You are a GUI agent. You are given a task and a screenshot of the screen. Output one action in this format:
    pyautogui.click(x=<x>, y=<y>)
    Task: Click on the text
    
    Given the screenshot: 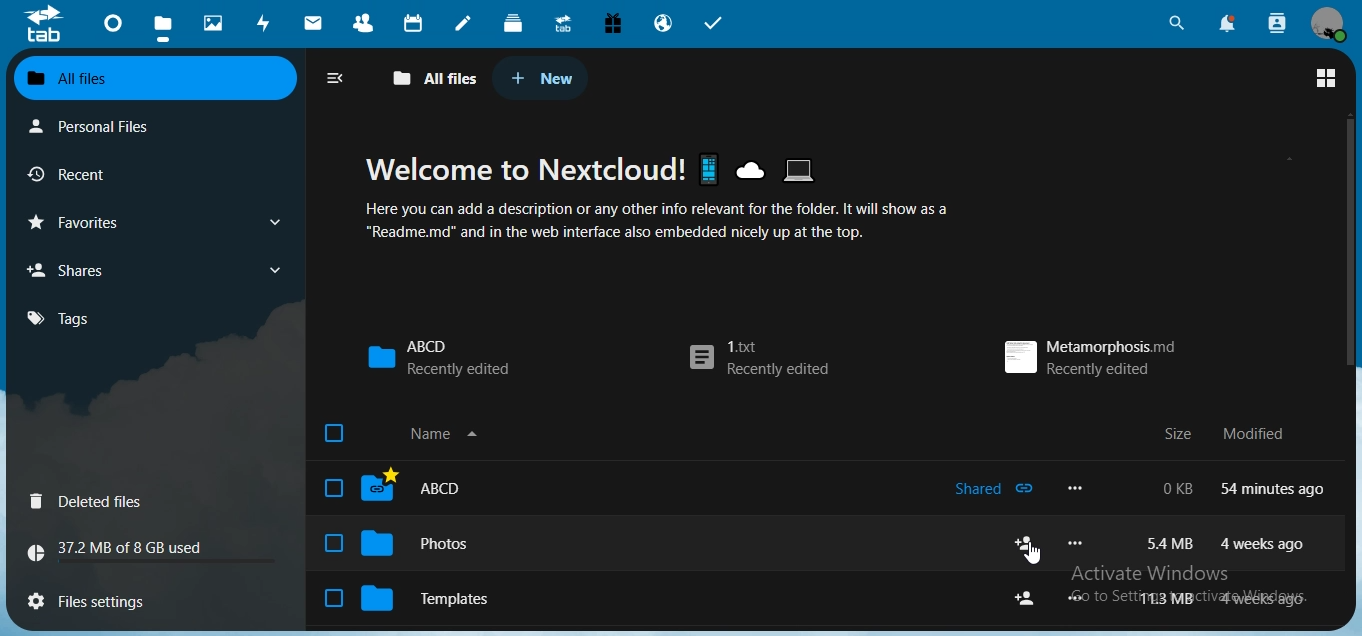 What is the action you would take?
    pyautogui.click(x=1227, y=599)
    